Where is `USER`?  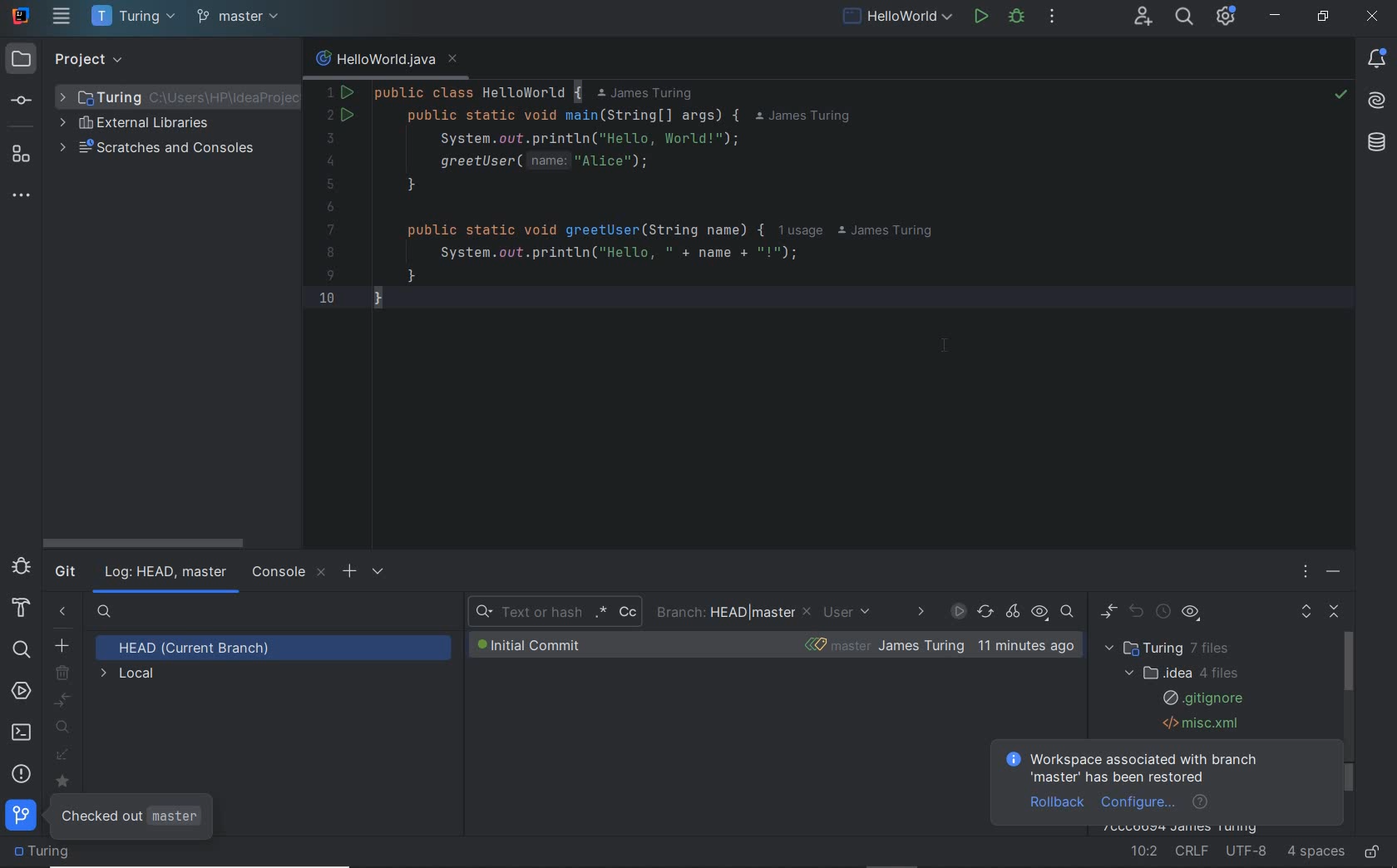 USER is located at coordinates (852, 614).